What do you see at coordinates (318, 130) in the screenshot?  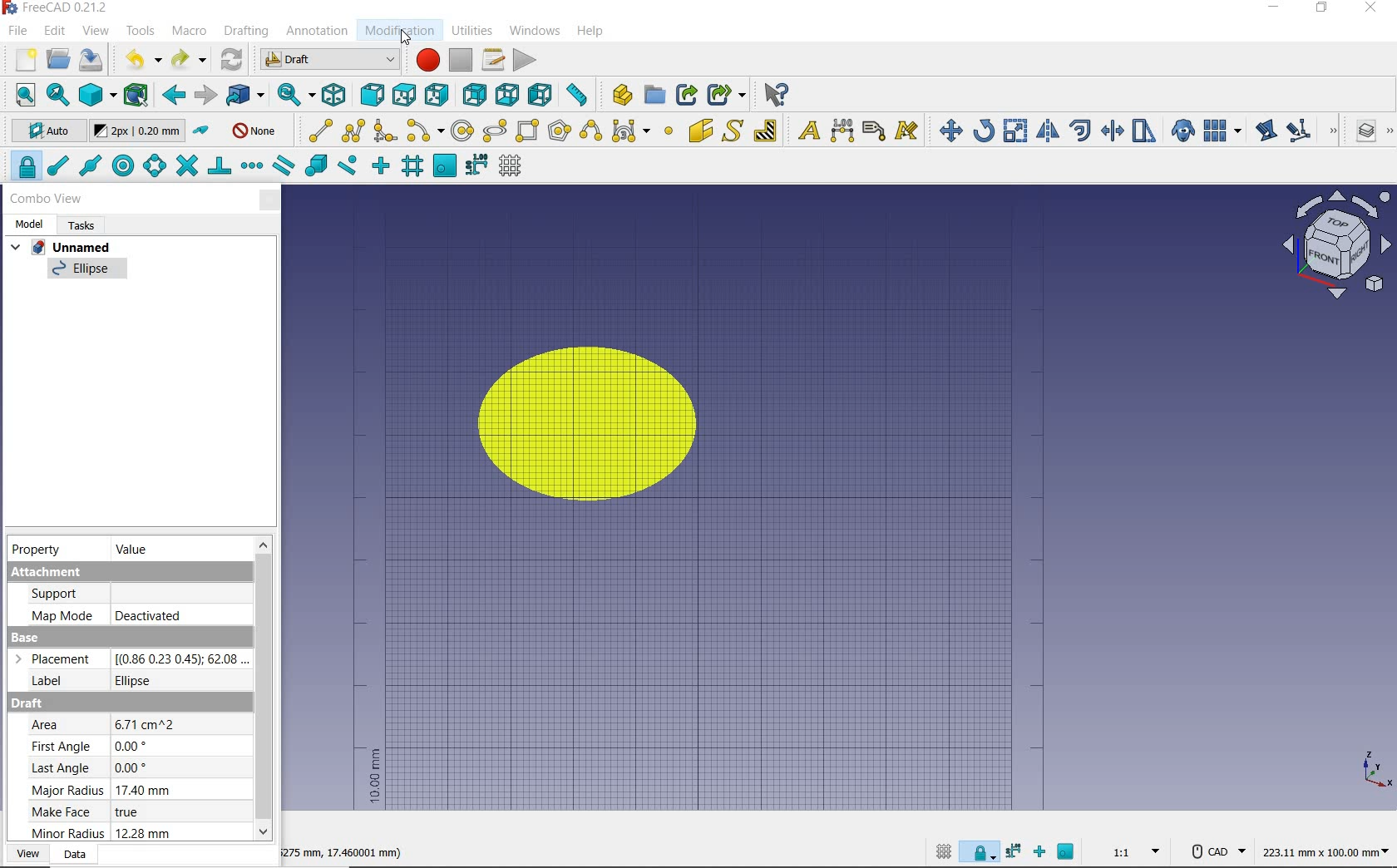 I see `line` at bounding box center [318, 130].